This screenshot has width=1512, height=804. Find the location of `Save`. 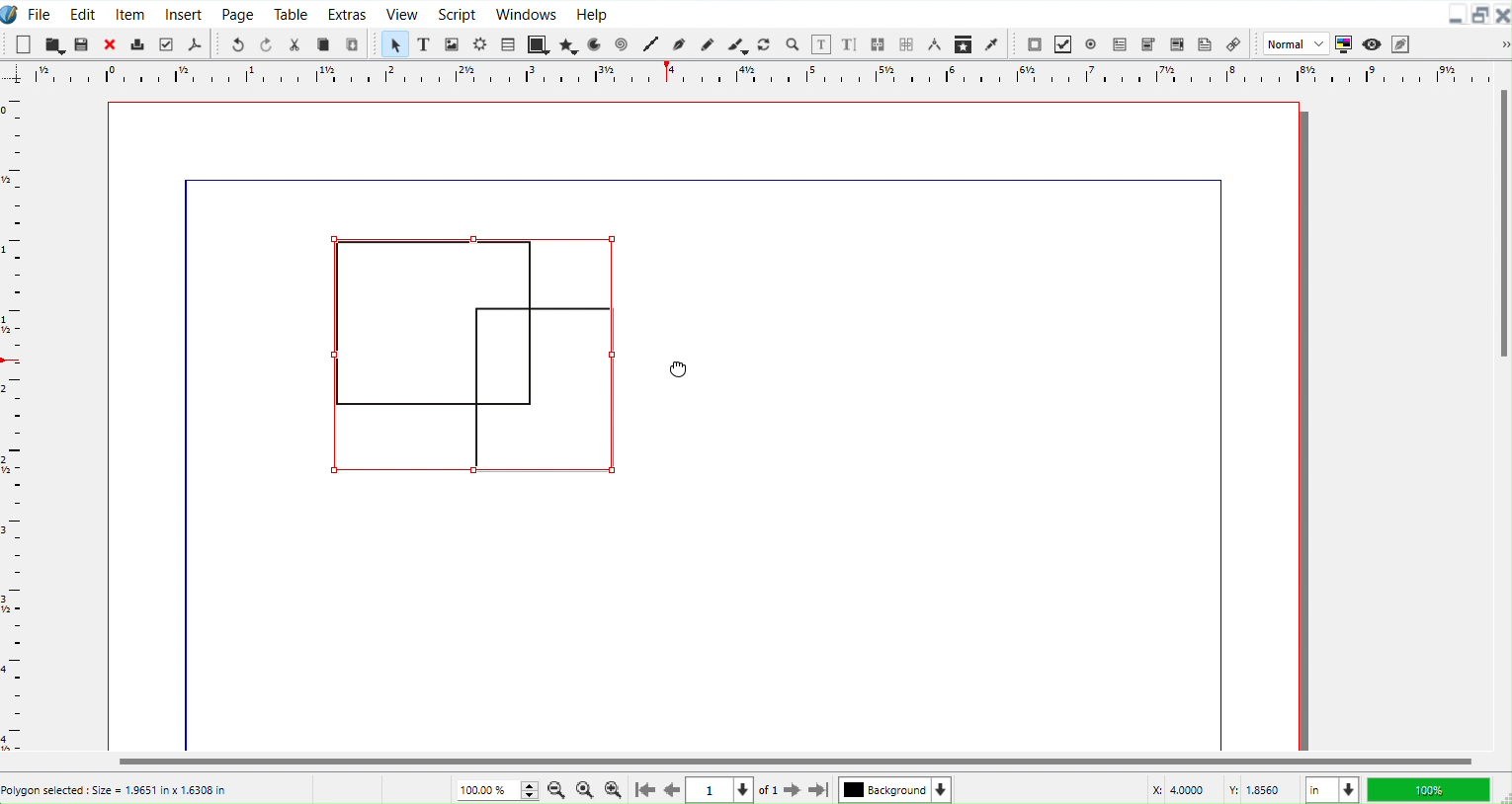

Save is located at coordinates (82, 42).